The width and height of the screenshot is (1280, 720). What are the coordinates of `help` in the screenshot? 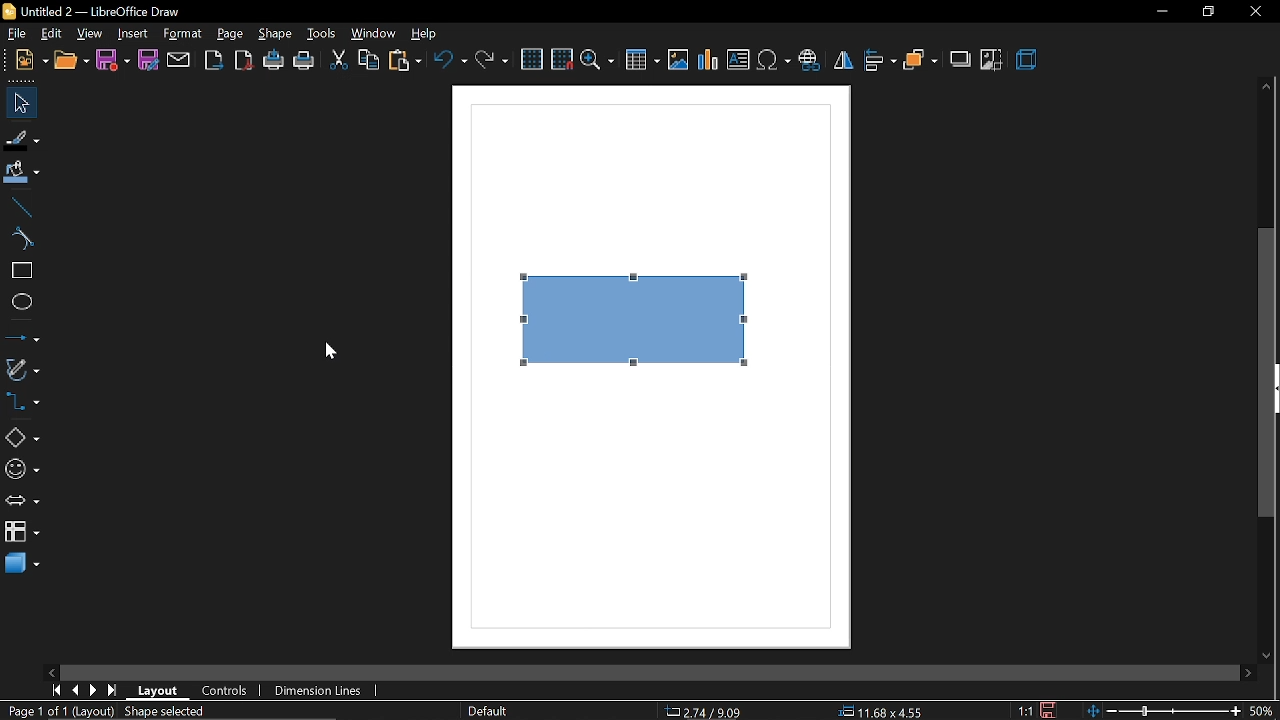 It's located at (423, 33).